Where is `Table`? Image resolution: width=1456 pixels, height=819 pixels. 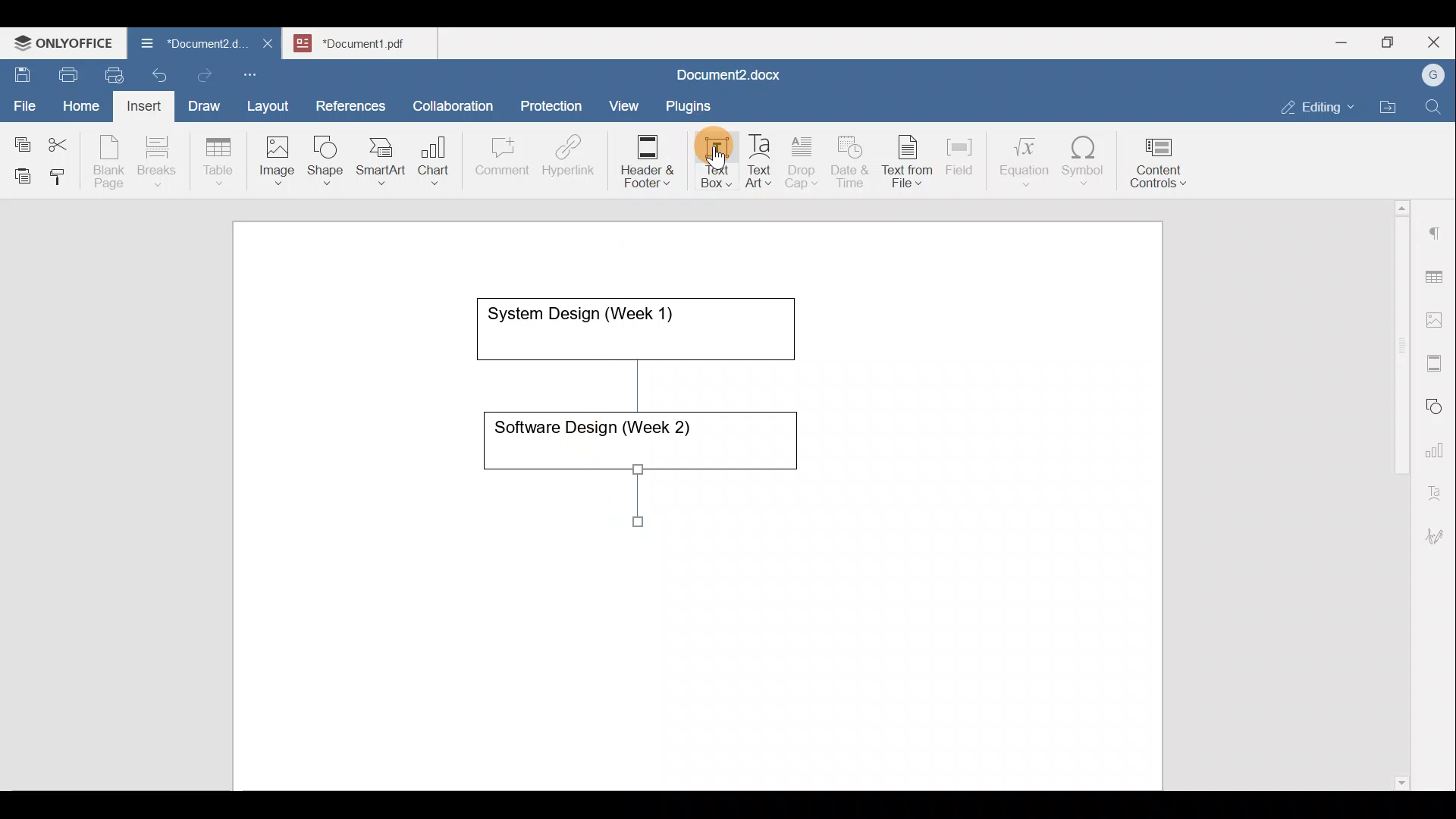
Table is located at coordinates (219, 158).